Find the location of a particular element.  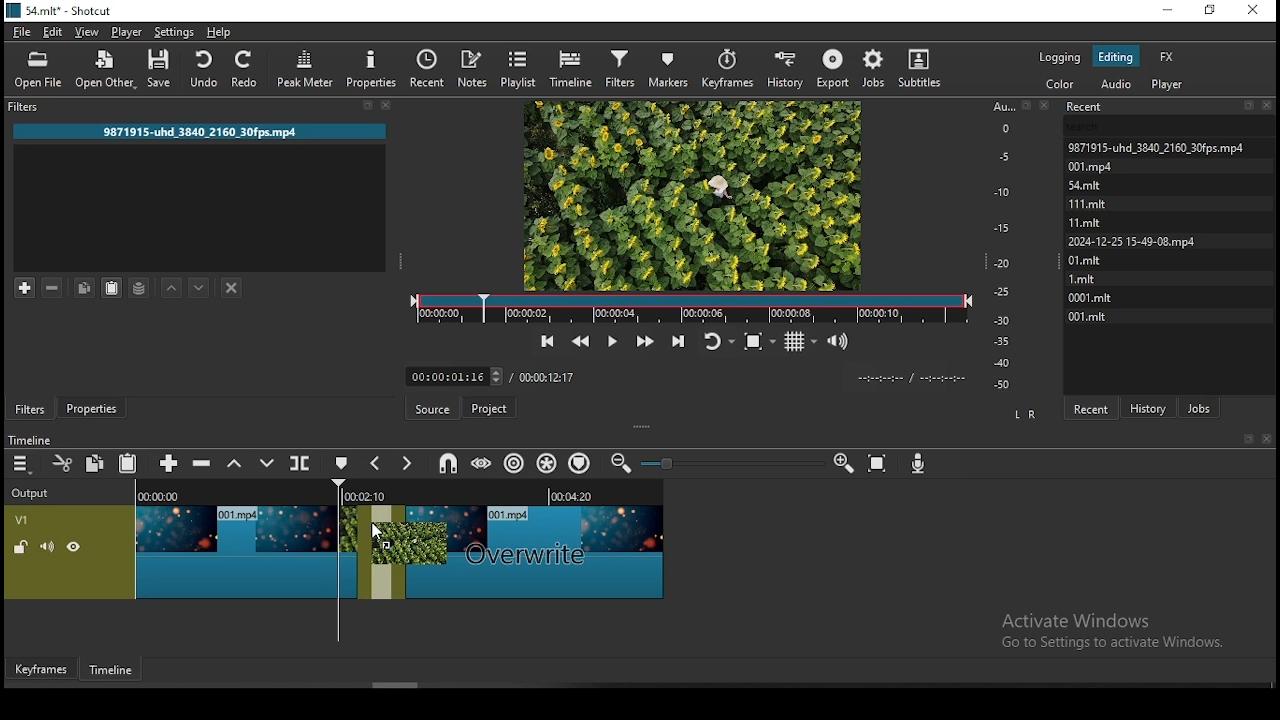

properties is located at coordinates (372, 68).